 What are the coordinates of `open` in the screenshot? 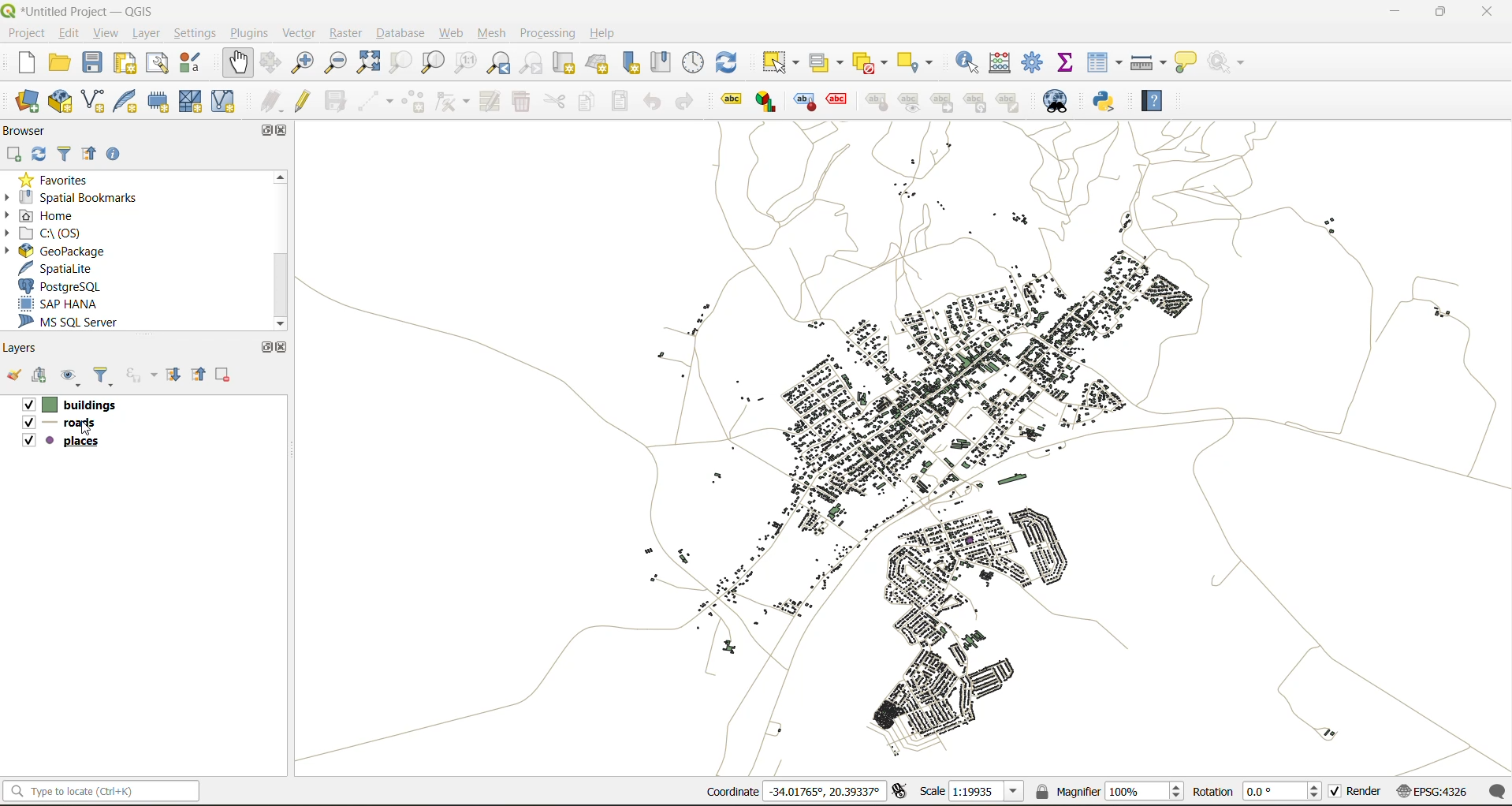 It's located at (57, 63).